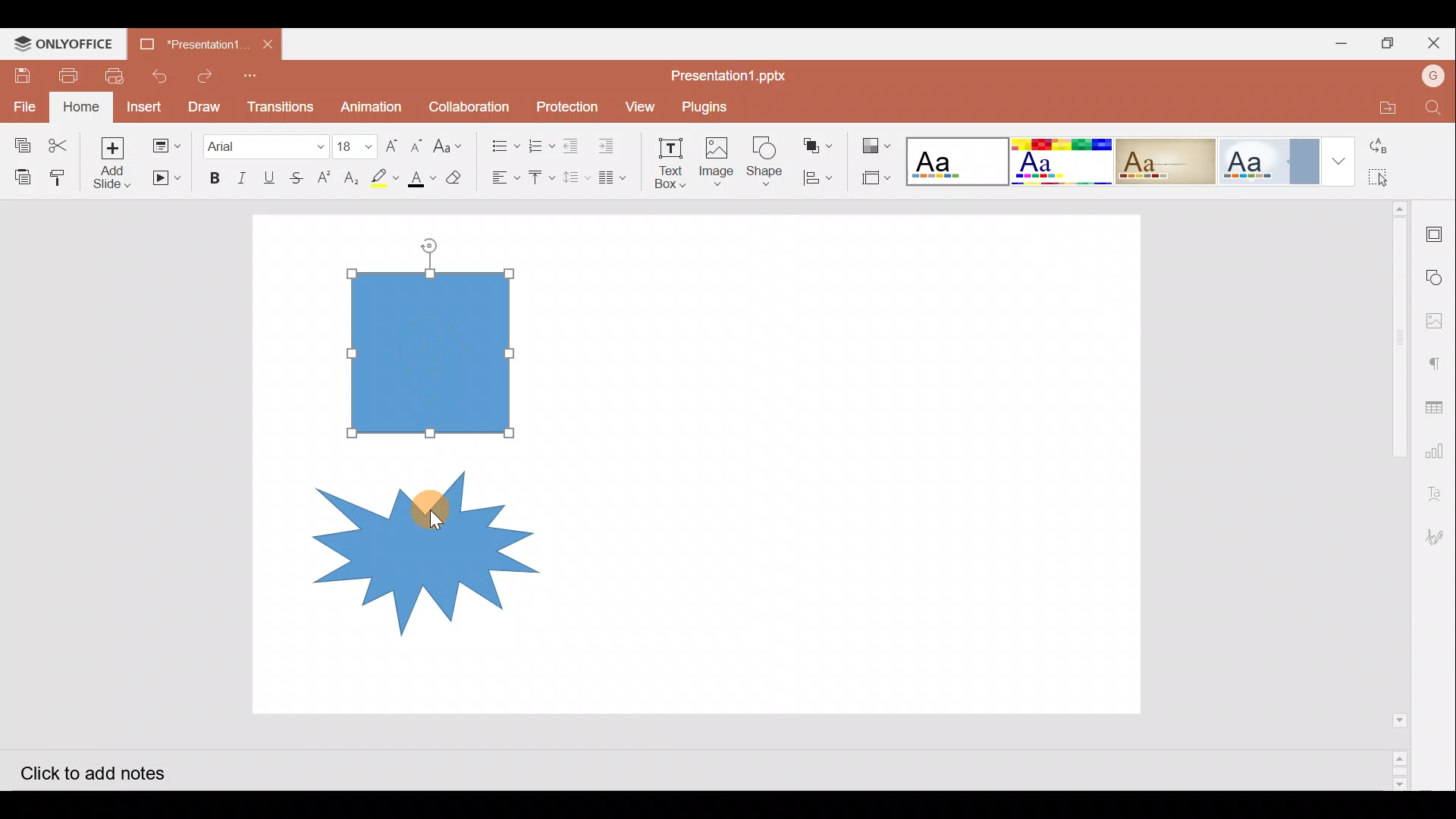  Describe the element at coordinates (390, 141) in the screenshot. I see `Increase font size` at that location.